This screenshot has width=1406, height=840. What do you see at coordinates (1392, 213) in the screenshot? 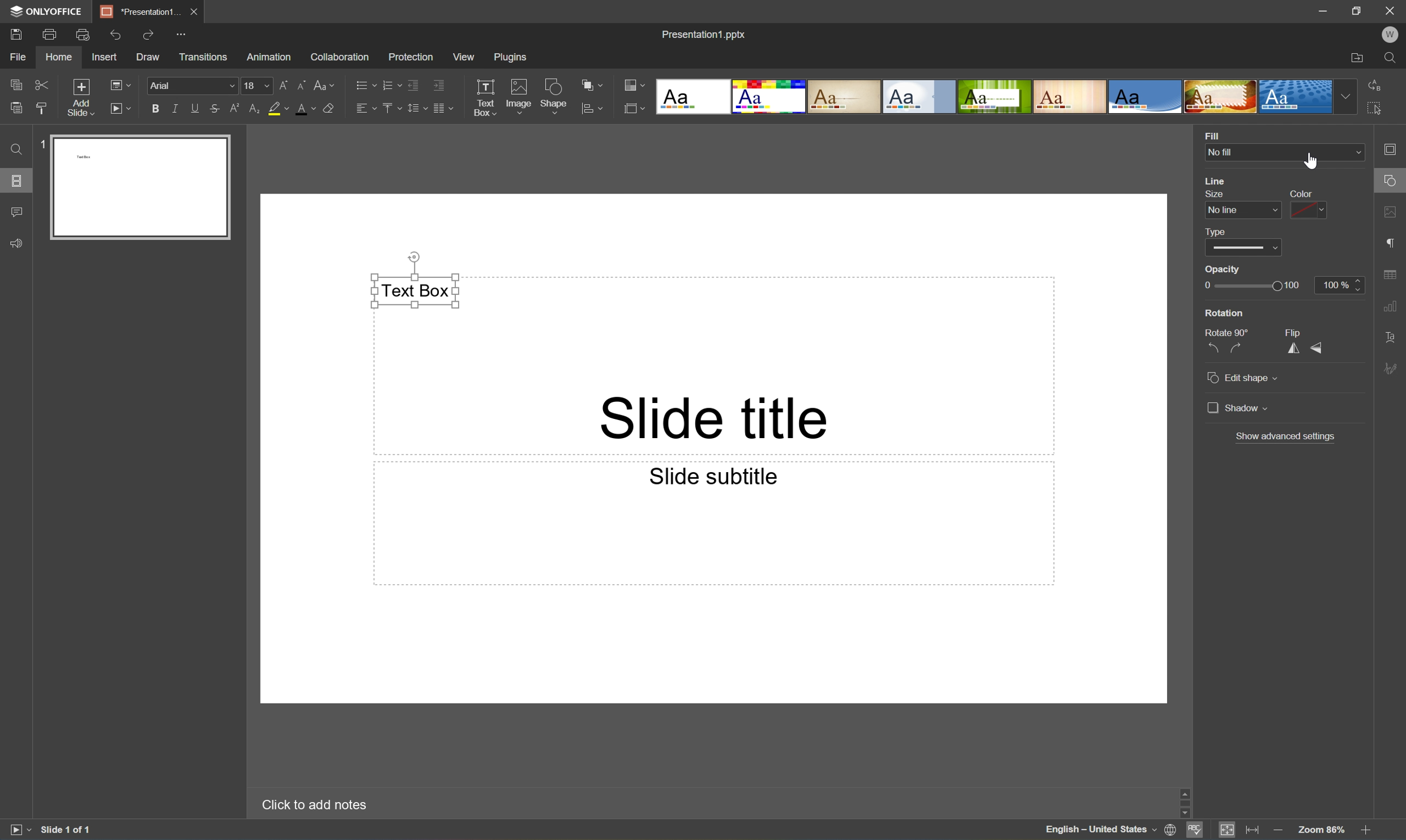
I see `Image settings` at bounding box center [1392, 213].